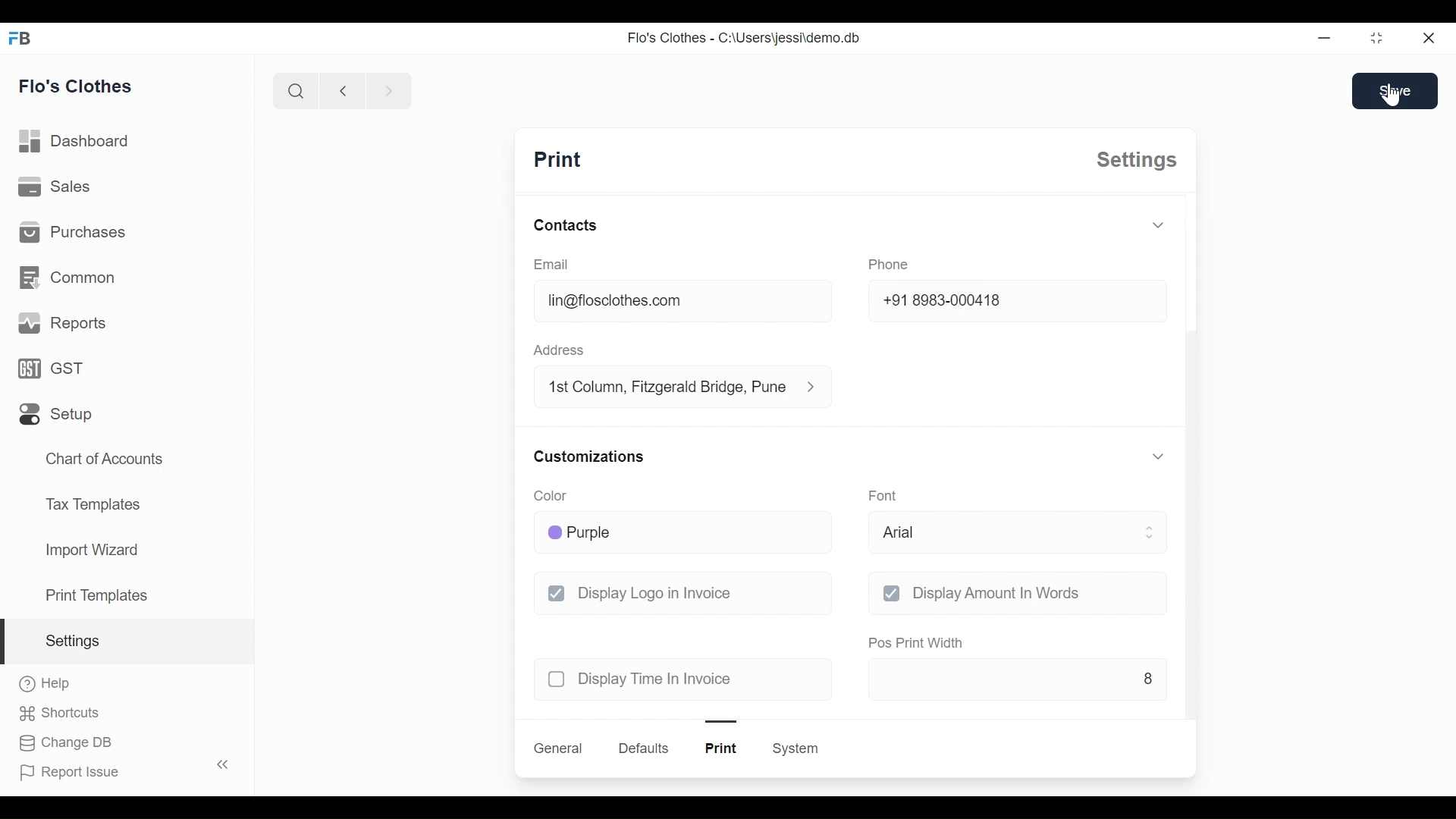 This screenshot has width=1456, height=819. I want to click on toggle expand/collapse, so click(1158, 224).